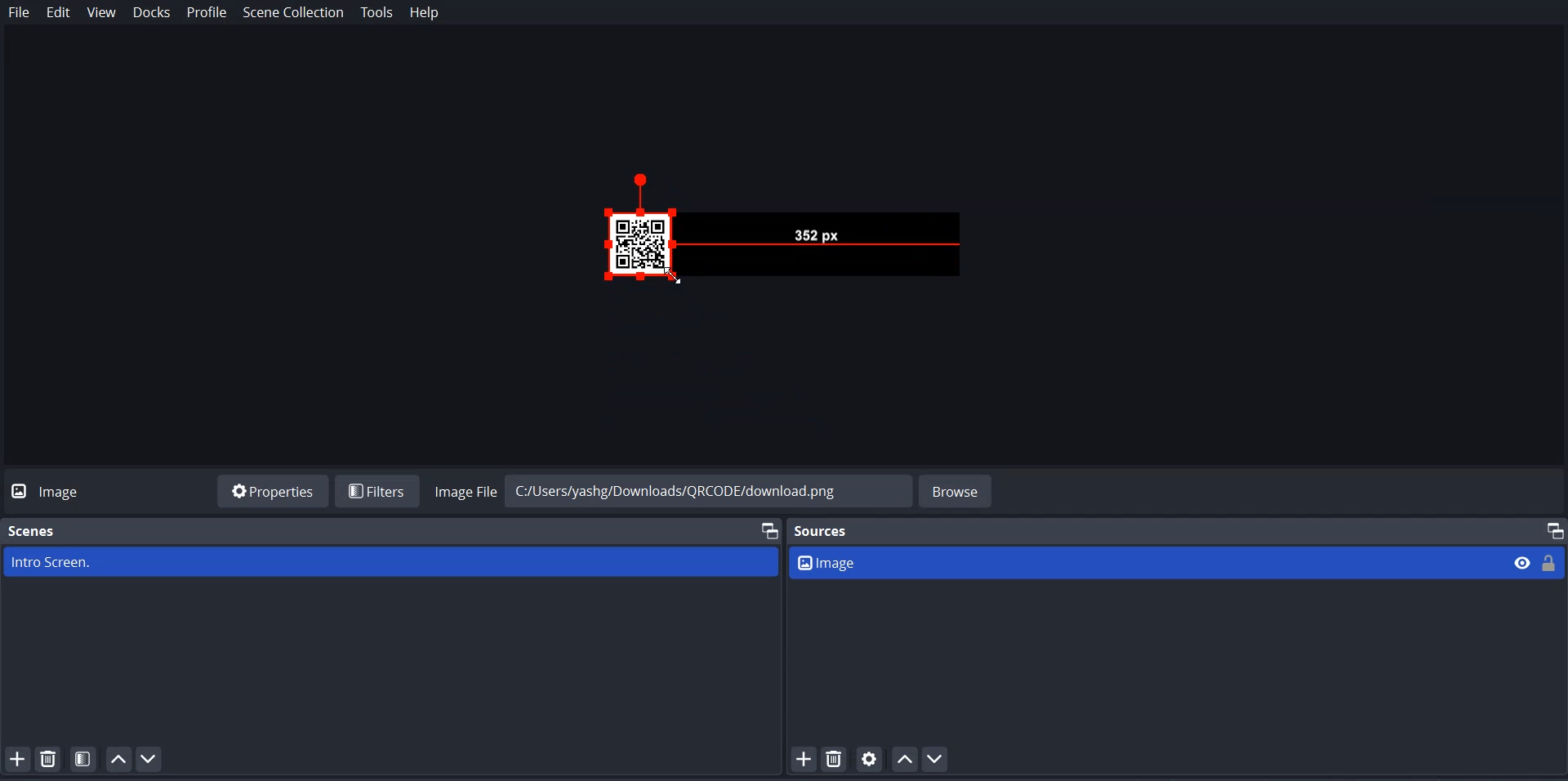  What do you see at coordinates (935, 758) in the screenshot?
I see `Move Source Down` at bounding box center [935, 758].